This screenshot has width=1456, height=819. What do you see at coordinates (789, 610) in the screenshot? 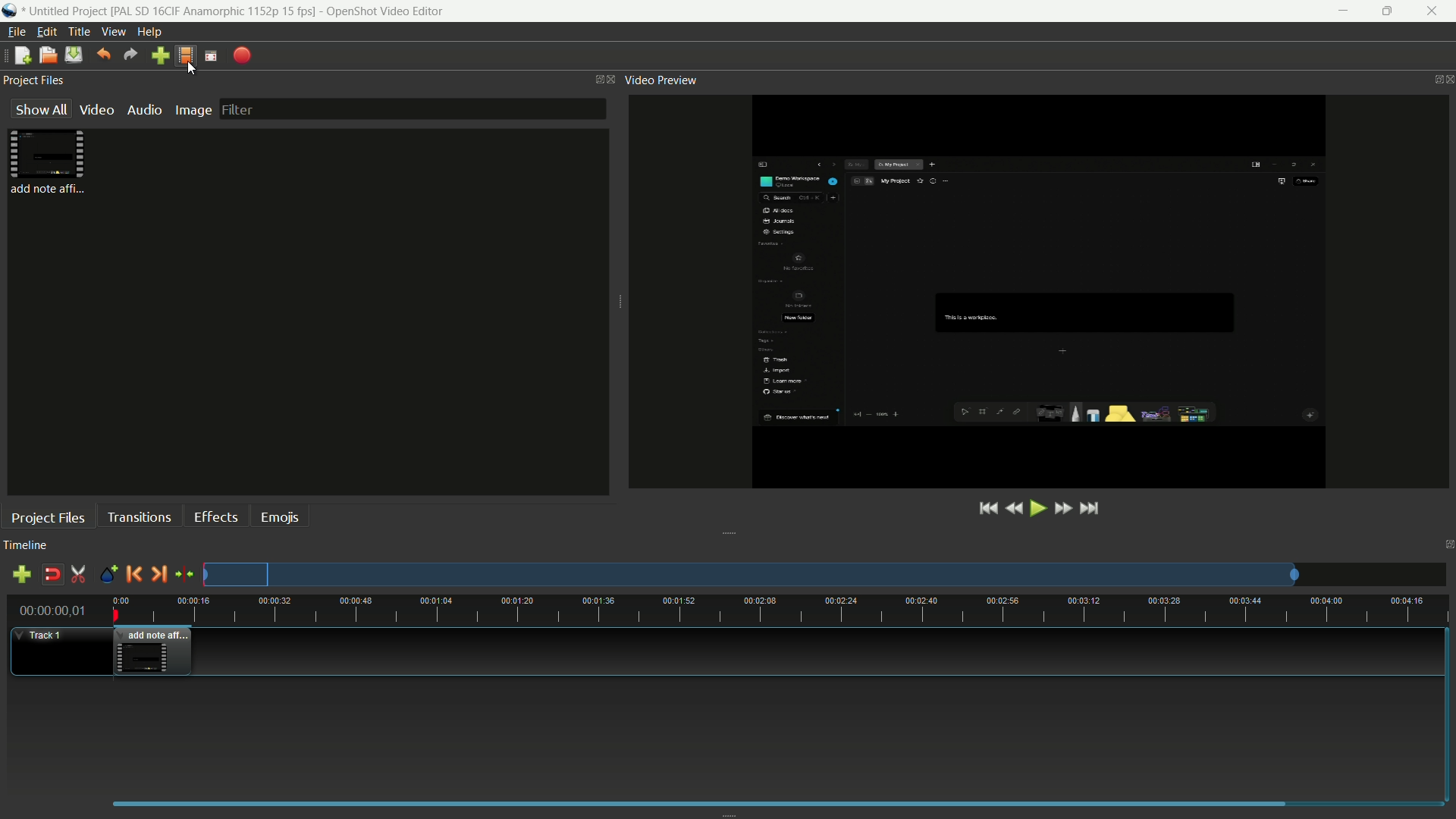
I see `time` at bounding box center [789, 610].